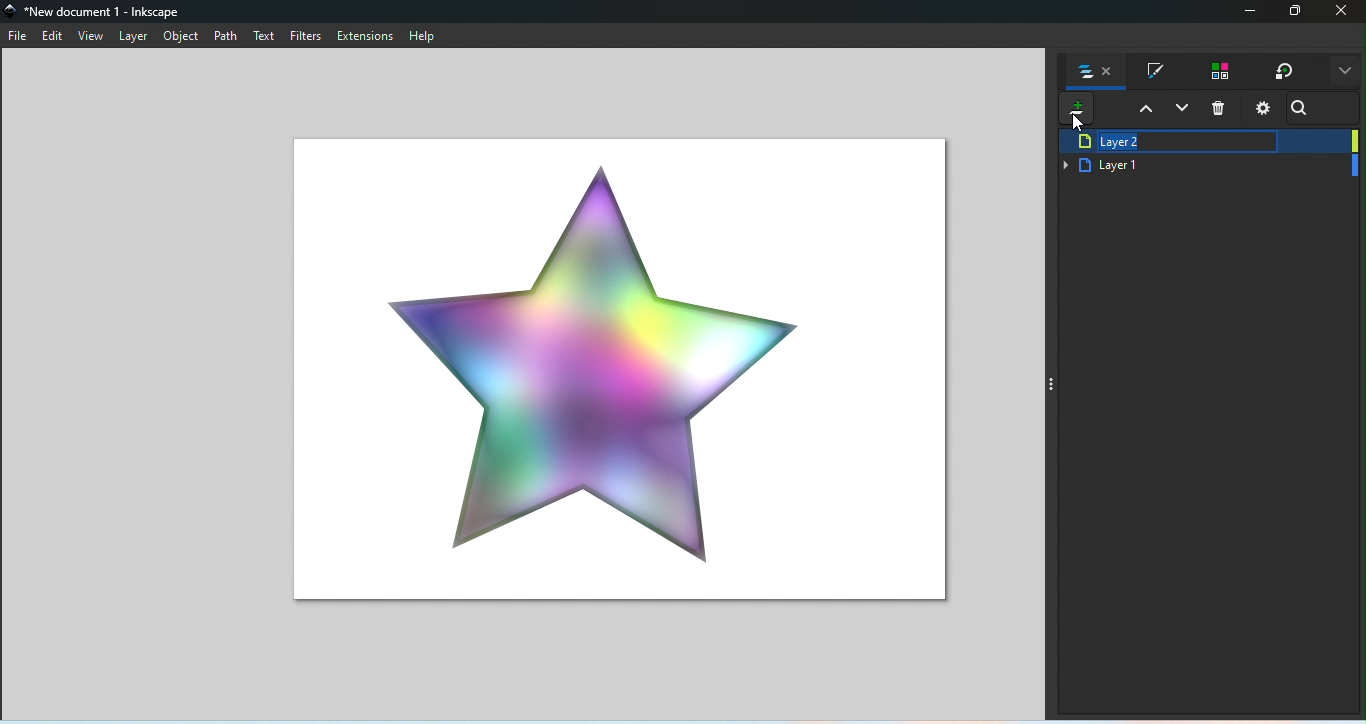 The image size is (1366, 724). I want to click on Add new layer, so click(1073, 111).